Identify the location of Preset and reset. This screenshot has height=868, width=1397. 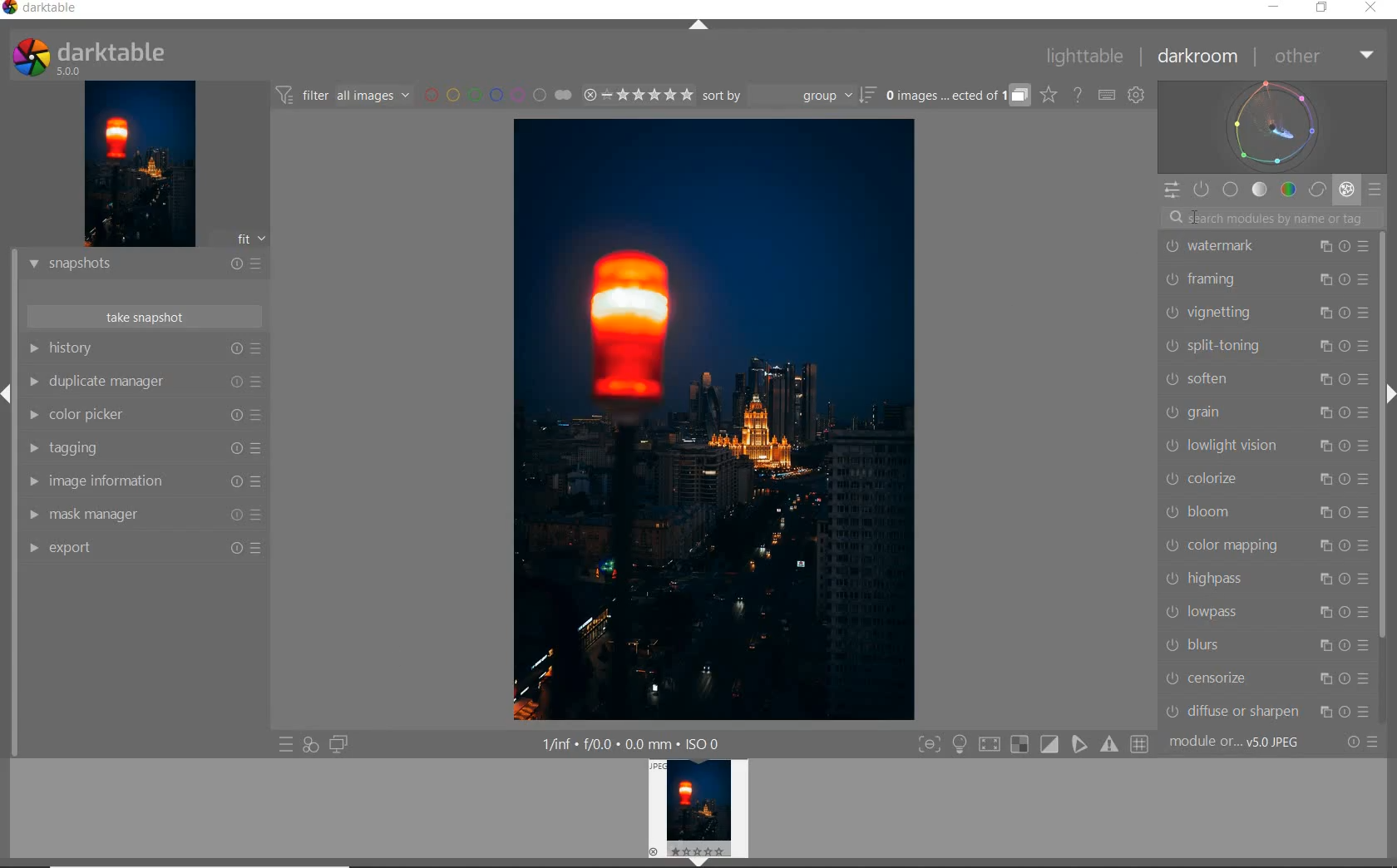
(1365, 643).